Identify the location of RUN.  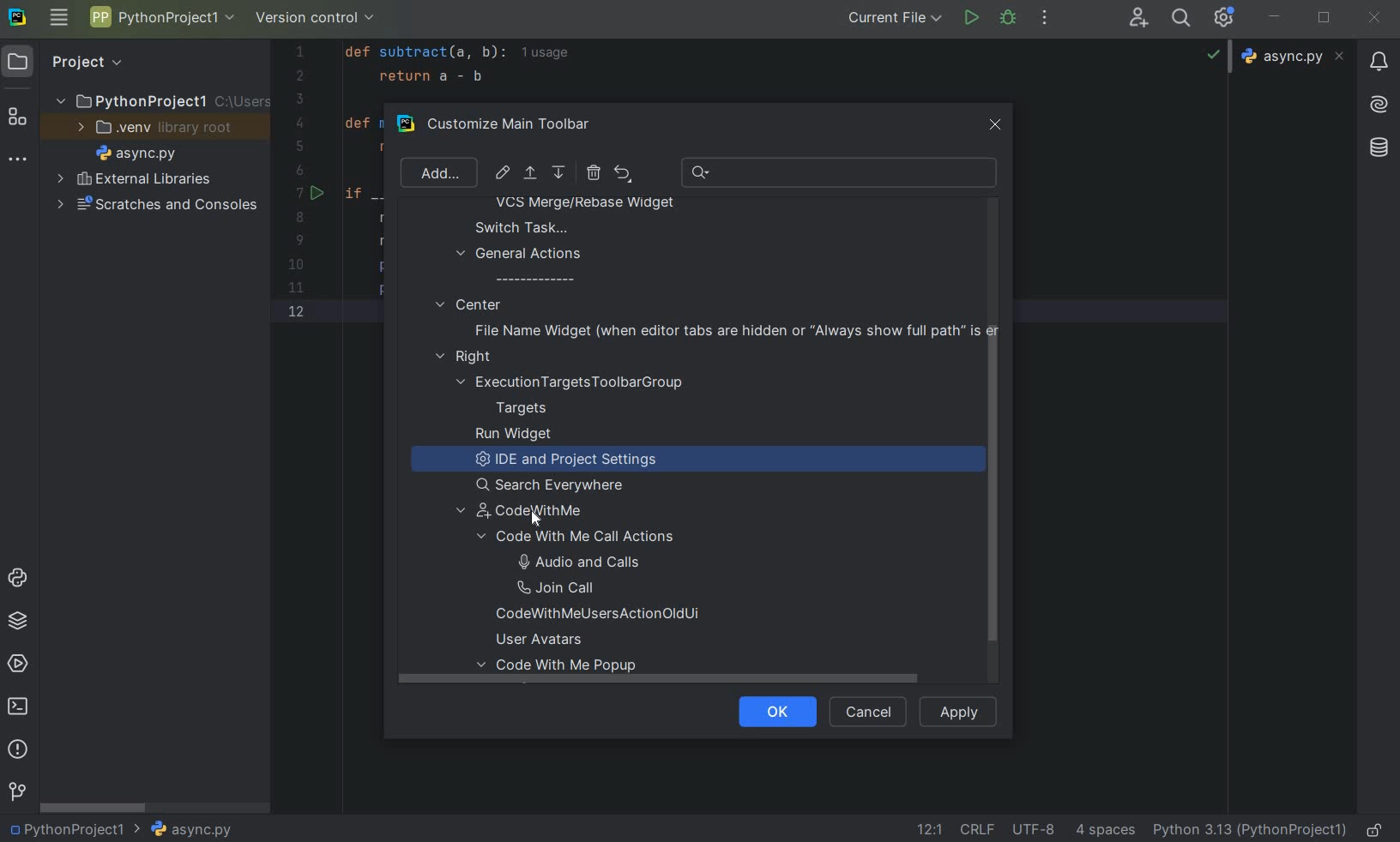
(973, 19).